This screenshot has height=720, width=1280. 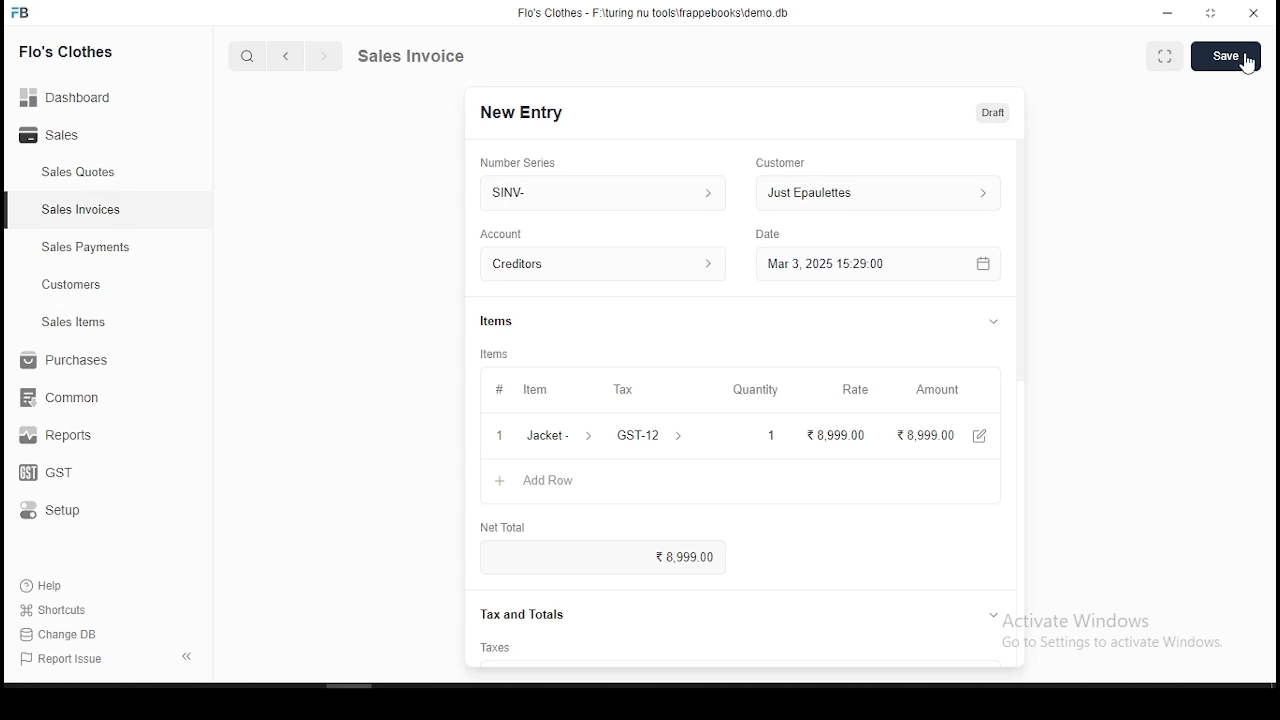 What do you see at coordinates (81, 247) in the screenshot?
I see `sales payment` at bounding box center [81, 247].